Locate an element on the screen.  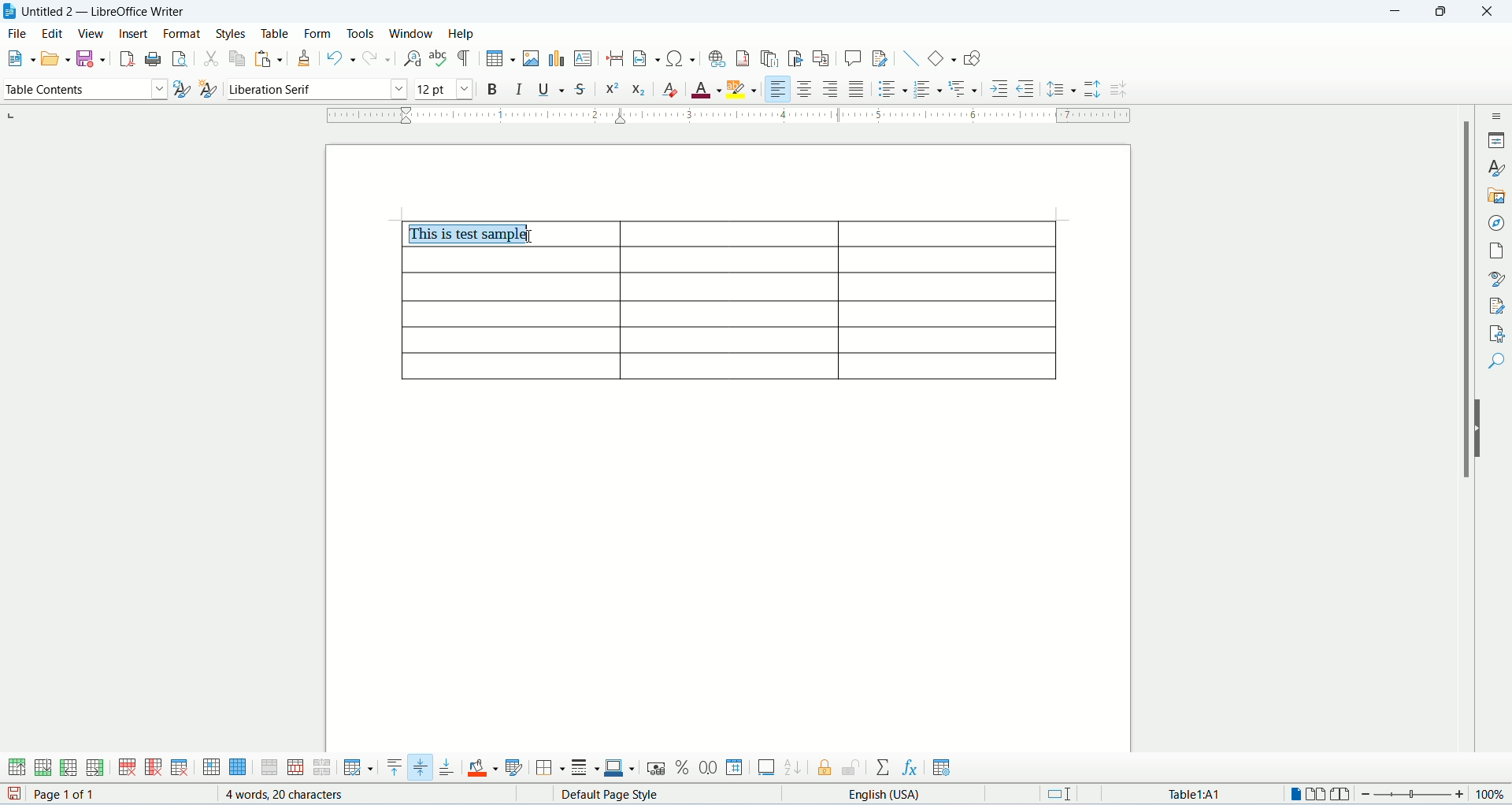
delete column is located at coordinates (154, 769).